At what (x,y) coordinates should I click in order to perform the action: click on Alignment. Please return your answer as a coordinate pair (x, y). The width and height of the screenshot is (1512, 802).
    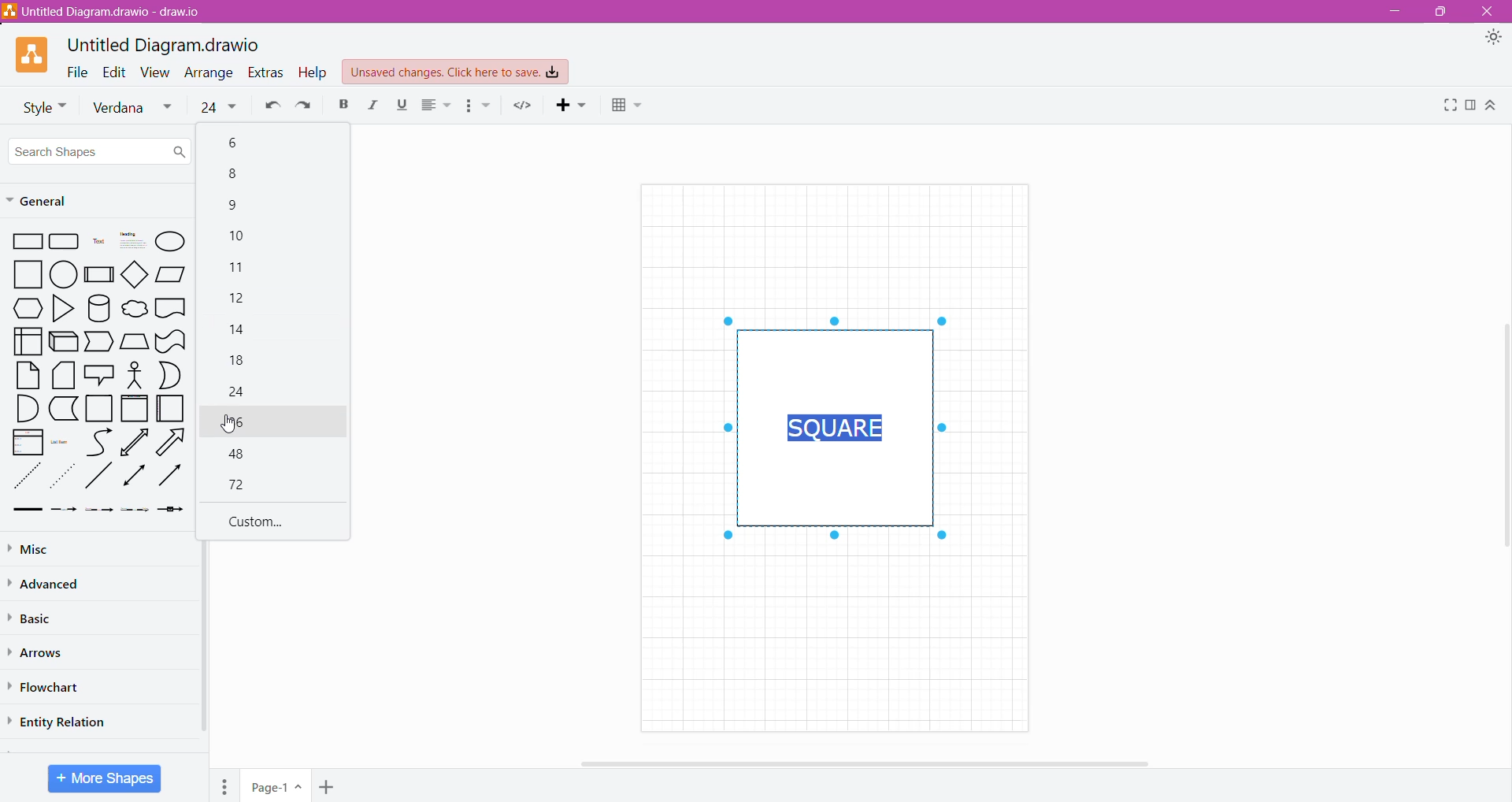
    Looking at the image, I should click on (437, 107).